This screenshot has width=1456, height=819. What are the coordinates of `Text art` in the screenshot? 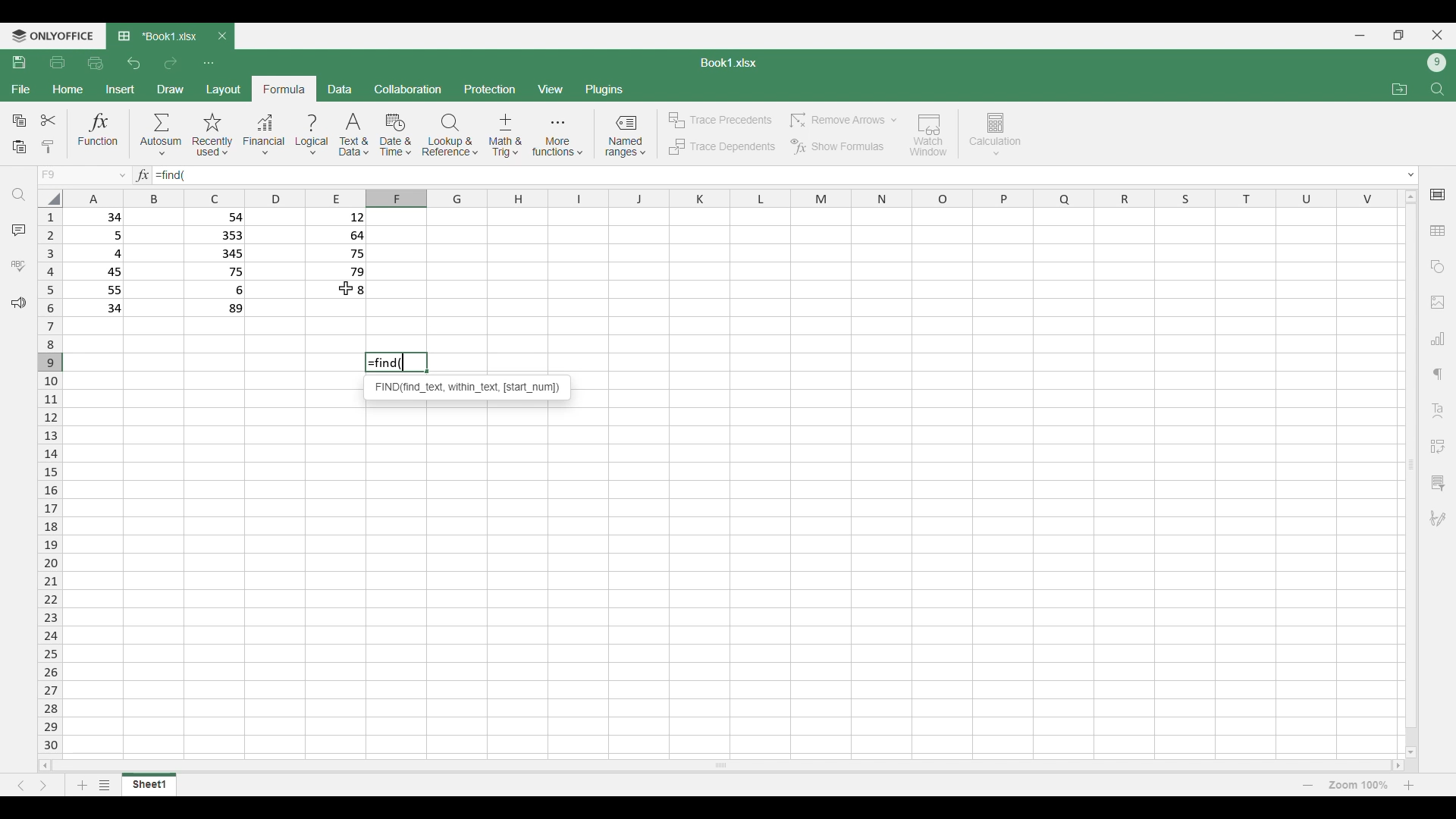 It's located at (1437, 411).